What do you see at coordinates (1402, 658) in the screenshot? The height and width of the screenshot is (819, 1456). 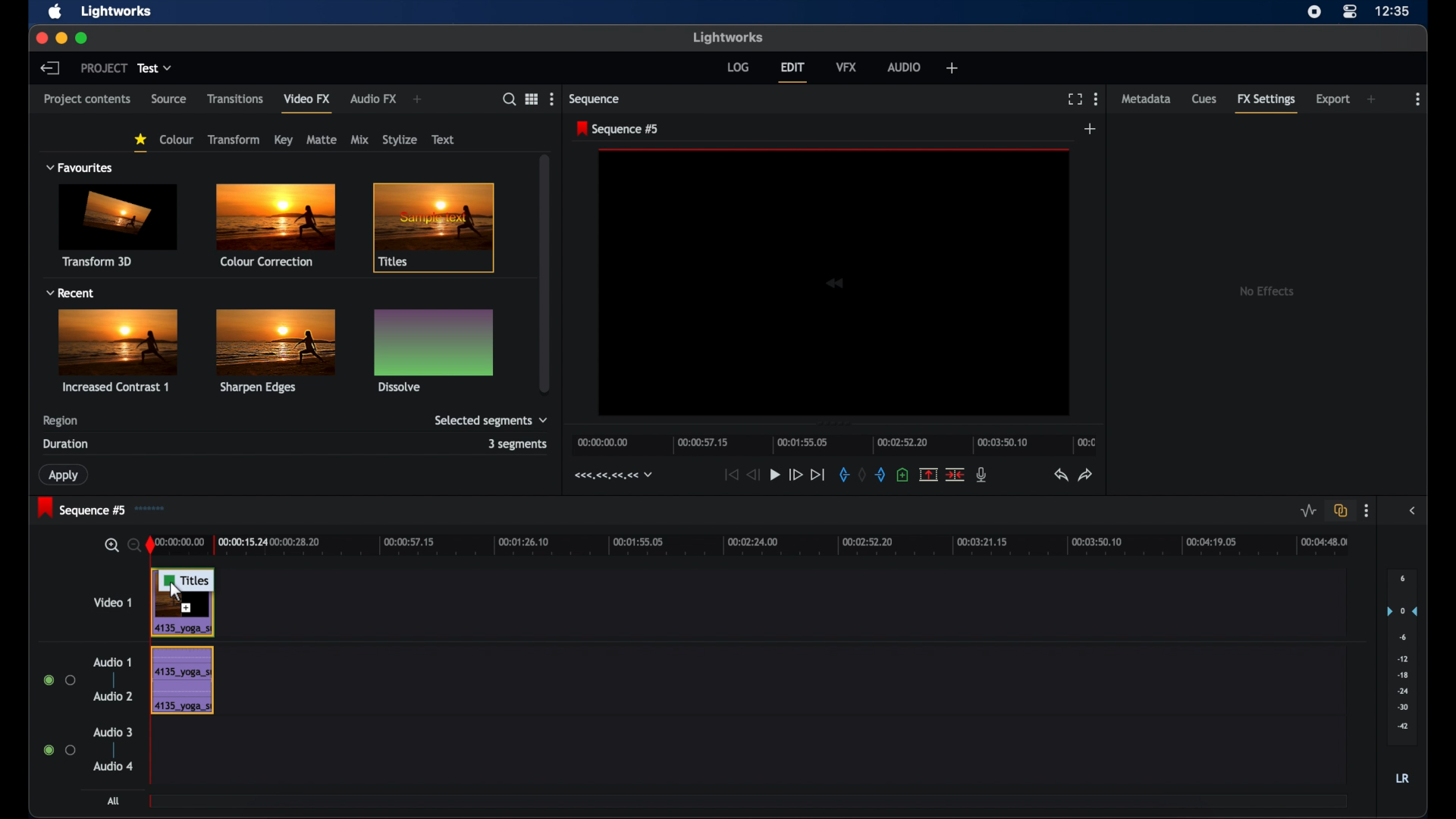 I see `audio output level` at bounding box center [1402, 658].